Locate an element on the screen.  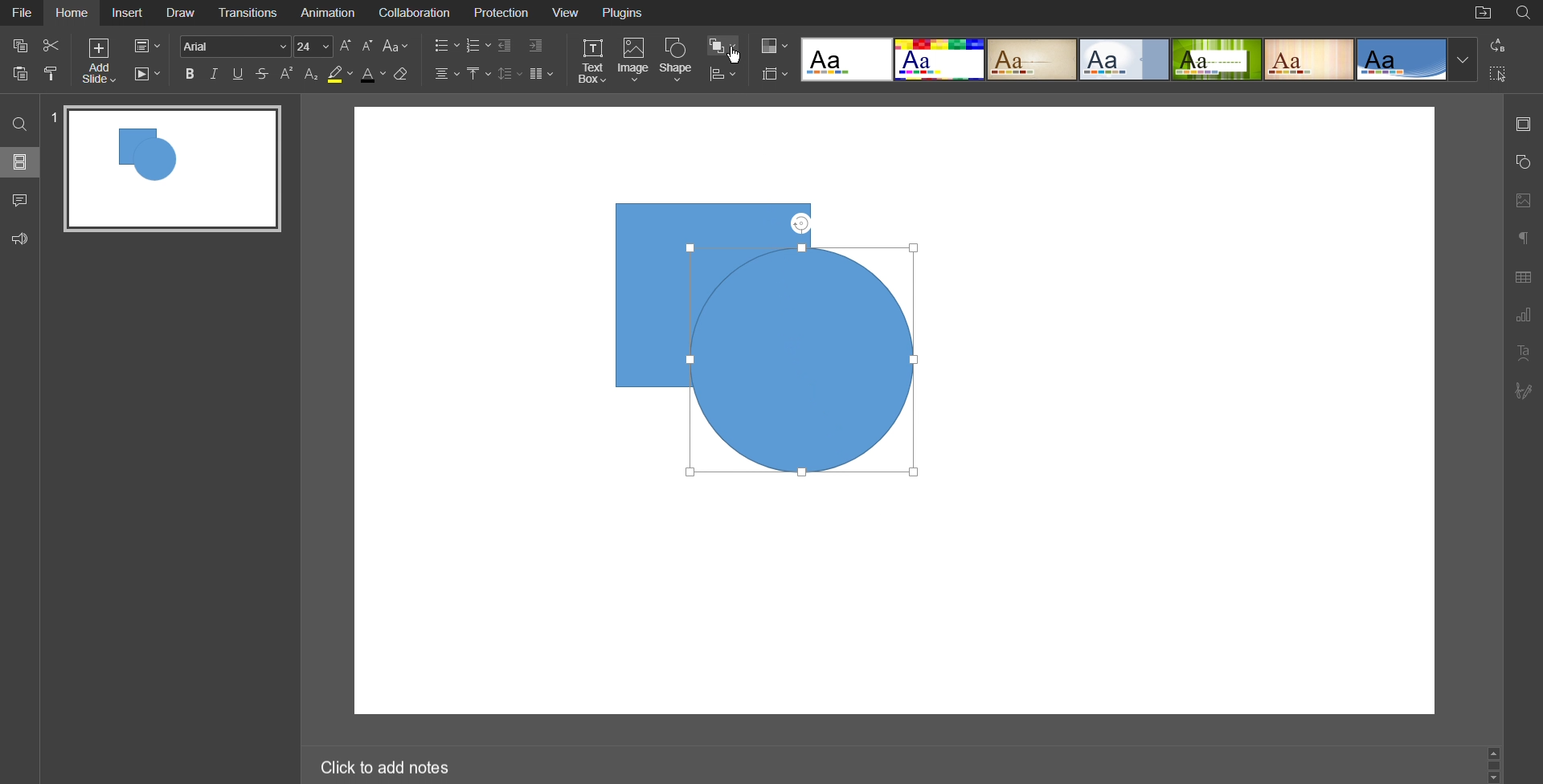
Copy Style is located at coordinates (51, 75).